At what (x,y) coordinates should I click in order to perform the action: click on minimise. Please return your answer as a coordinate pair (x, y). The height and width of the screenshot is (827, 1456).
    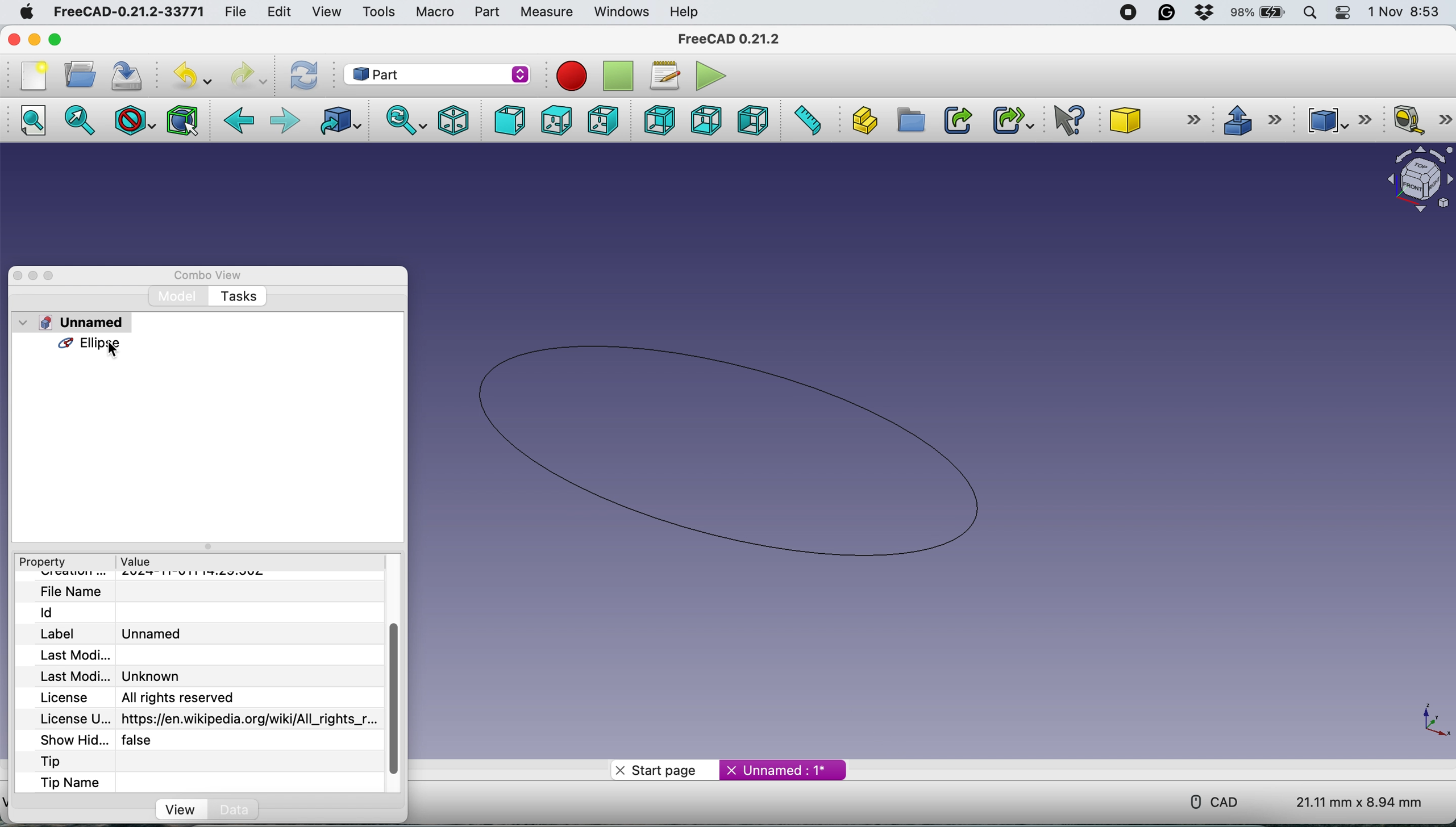
    Looking at the image, I should click on (34, 275).